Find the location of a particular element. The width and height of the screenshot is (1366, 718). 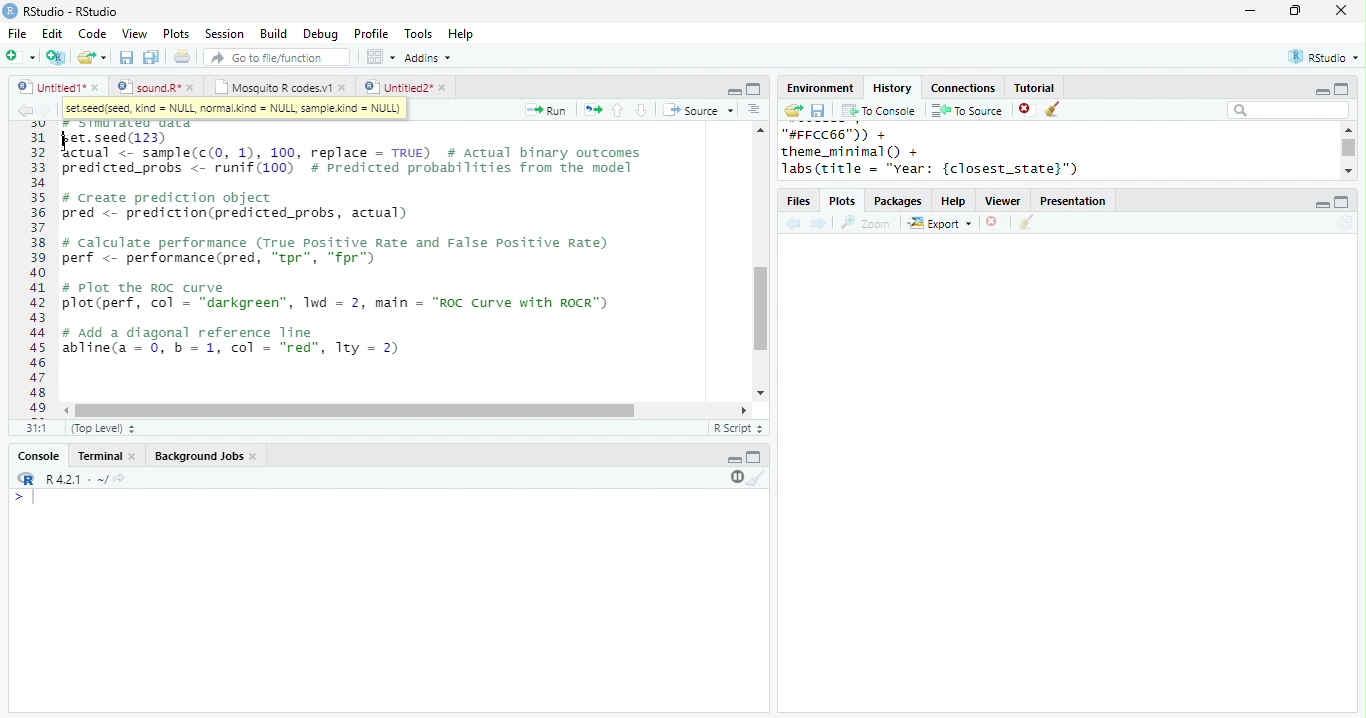

Zoom is located at coordinates (866, 223).